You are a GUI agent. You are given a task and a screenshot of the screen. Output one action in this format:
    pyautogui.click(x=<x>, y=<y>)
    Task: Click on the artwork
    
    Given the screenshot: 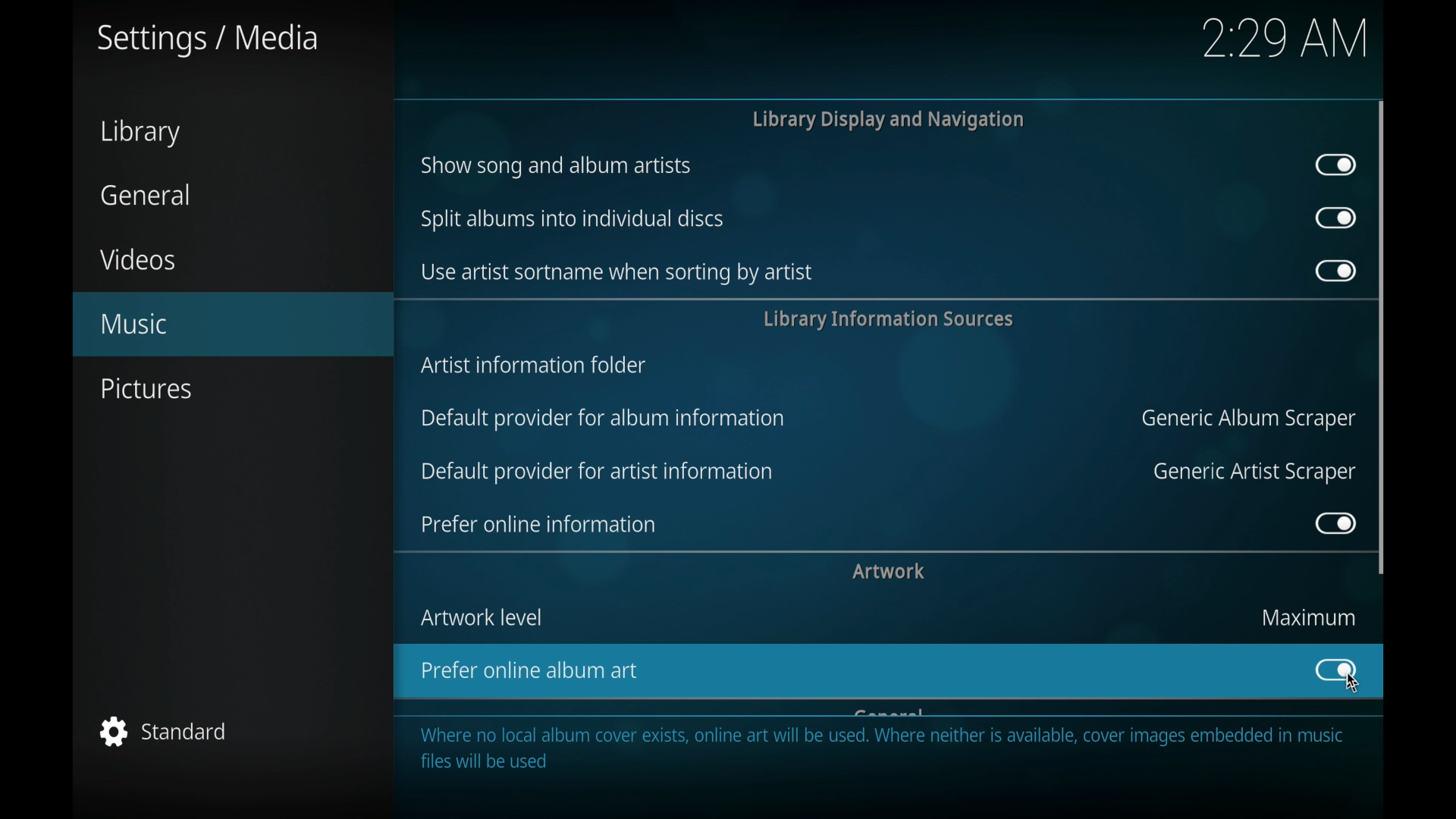 What is the action you would take?
    pyautogui.click(x=889, y=571)
    